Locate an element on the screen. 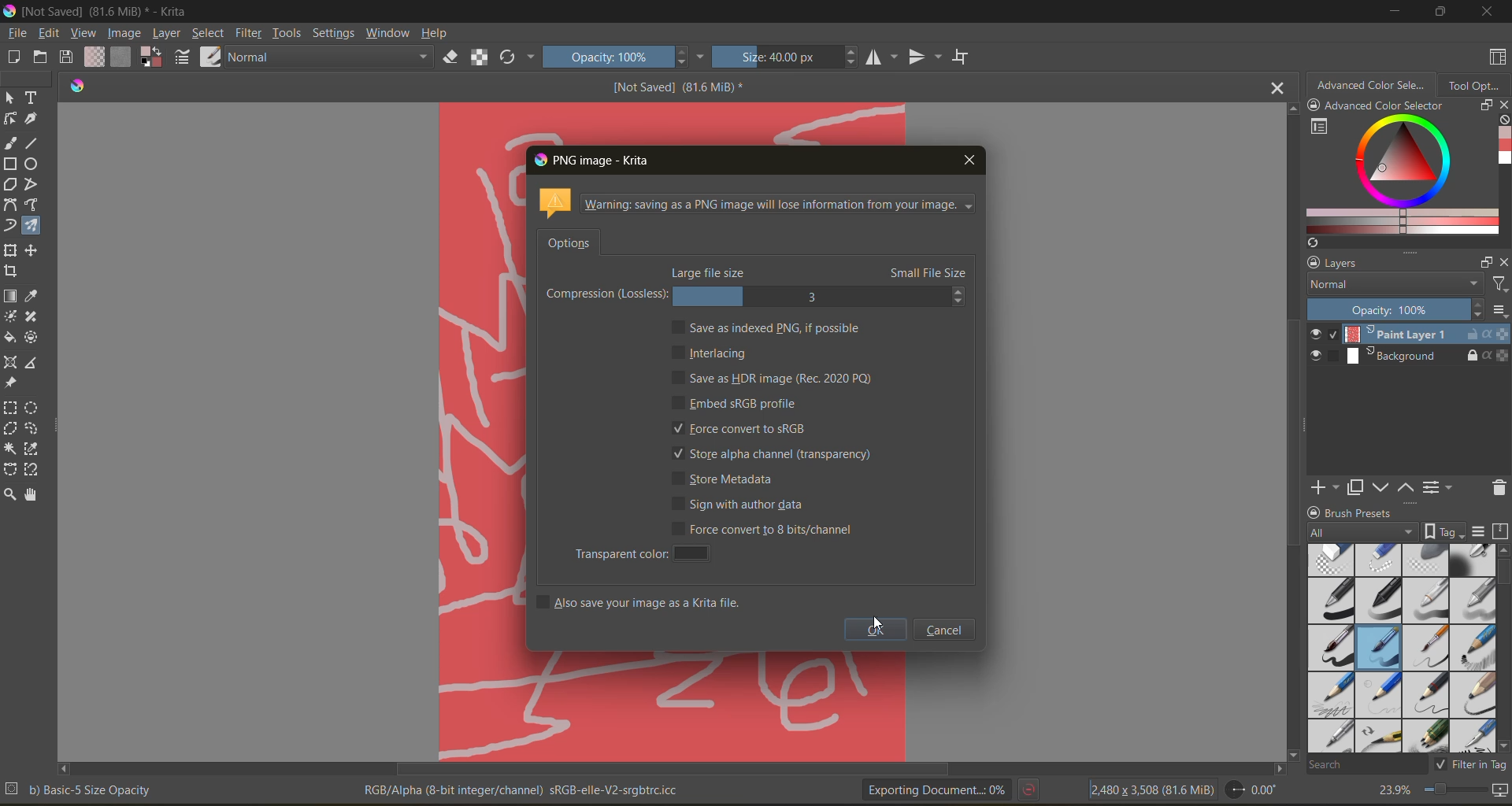 The height and width of the screenshot is (806, 1512). close tab is located at coordinates (1279, 87).